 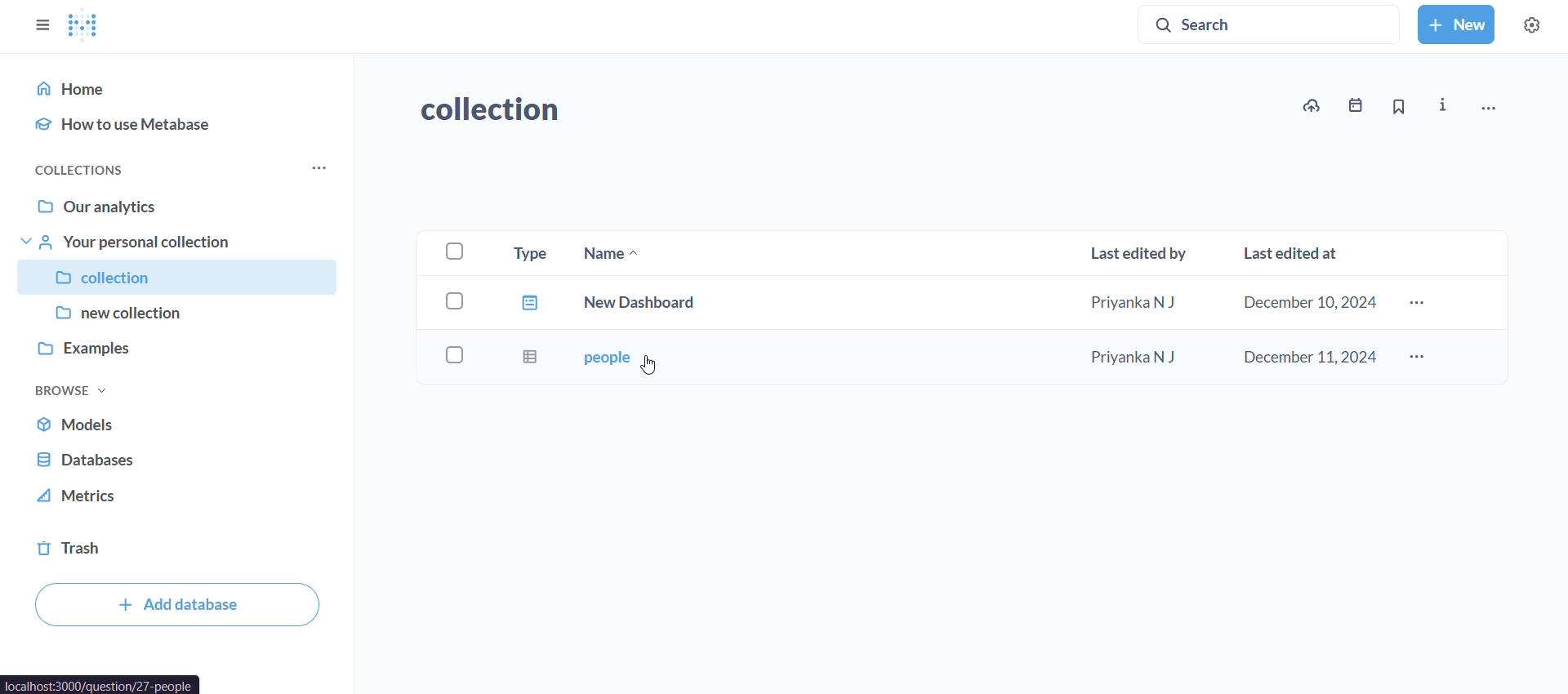 What do you see at coordinates (526, 310) in the screenshot?
I see `type` at bounding box center [526, 310].